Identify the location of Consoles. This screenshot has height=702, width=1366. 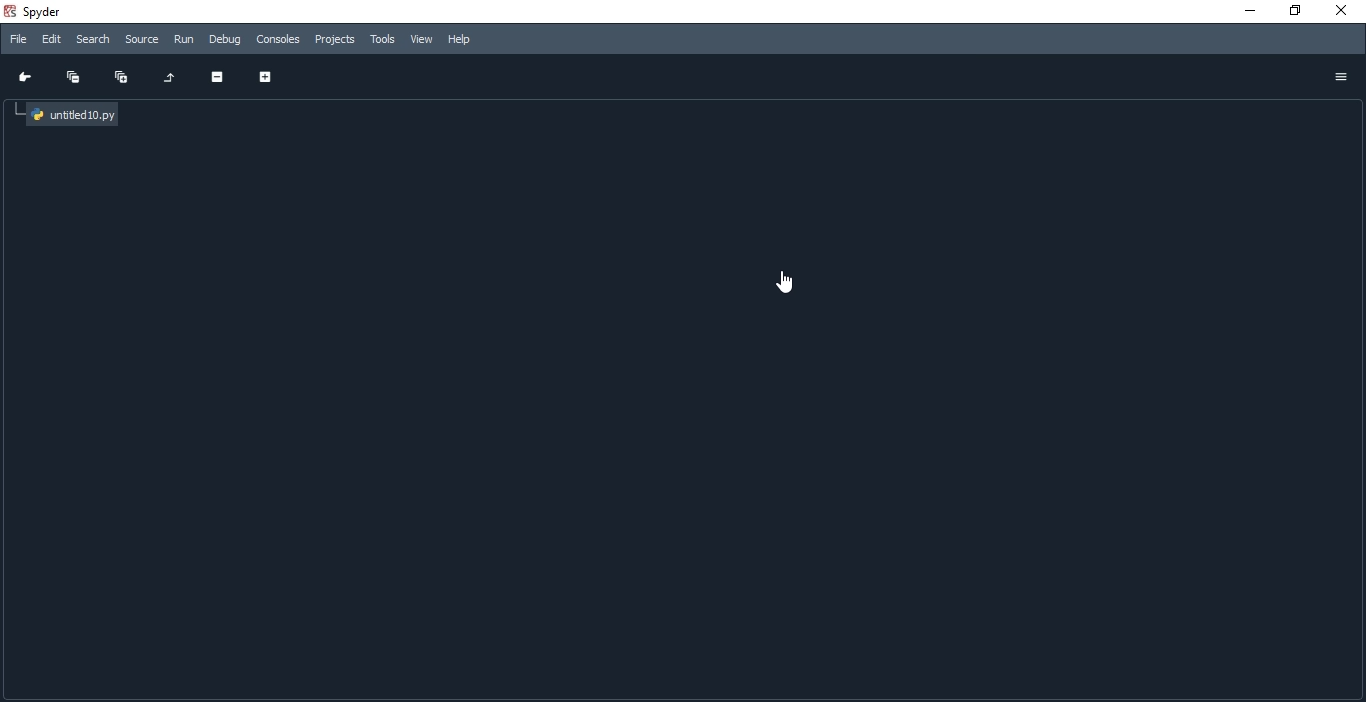
(277, 39).